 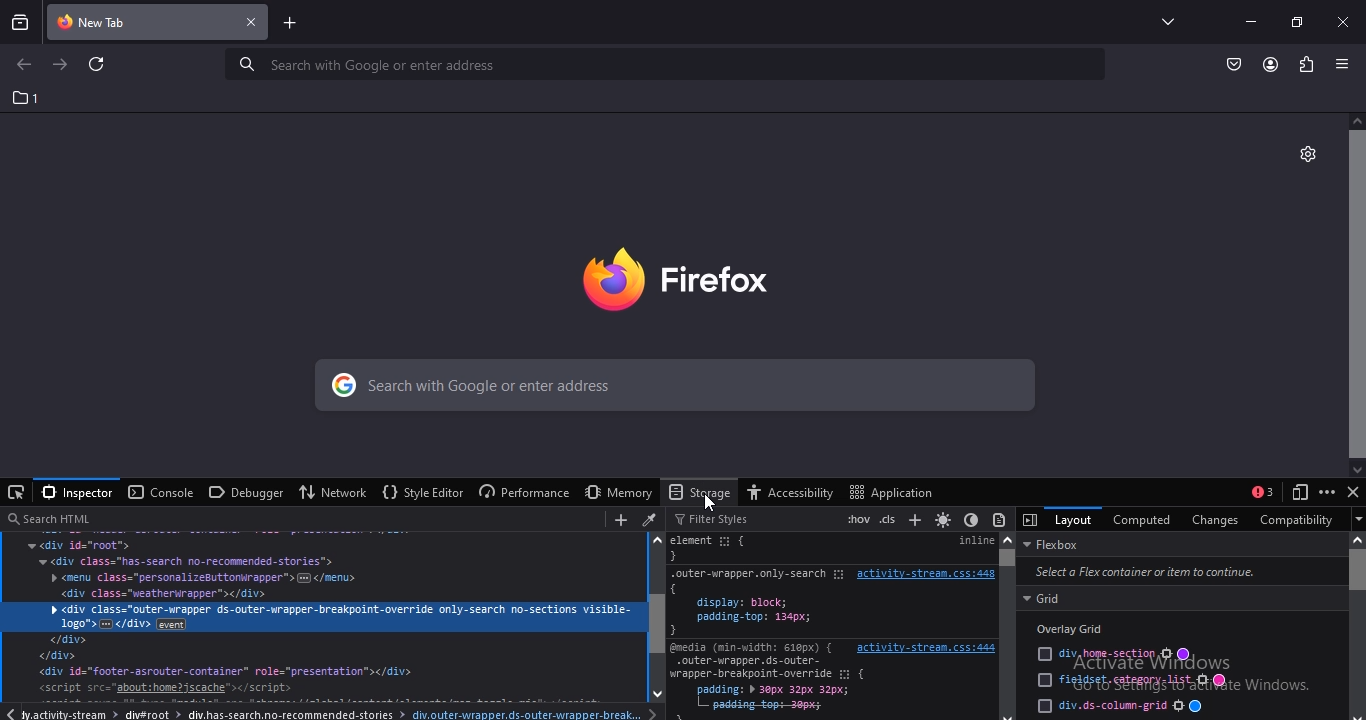 What do you see at coordinates (1296, 493) in the screenshot?
I see `responsive design mode` at bounding box center [1296, 493].